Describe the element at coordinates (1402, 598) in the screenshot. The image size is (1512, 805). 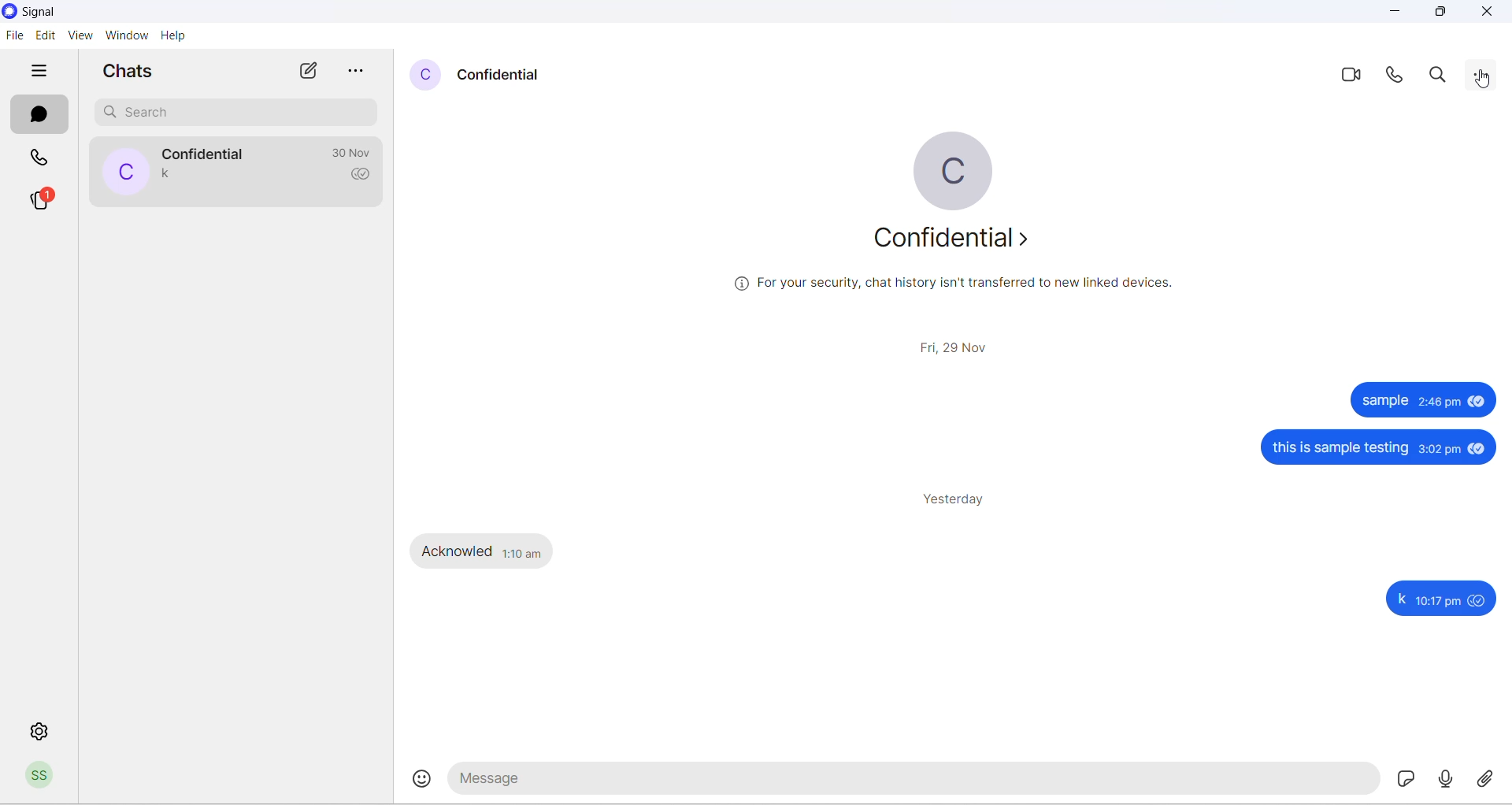
I see `k` at that location.